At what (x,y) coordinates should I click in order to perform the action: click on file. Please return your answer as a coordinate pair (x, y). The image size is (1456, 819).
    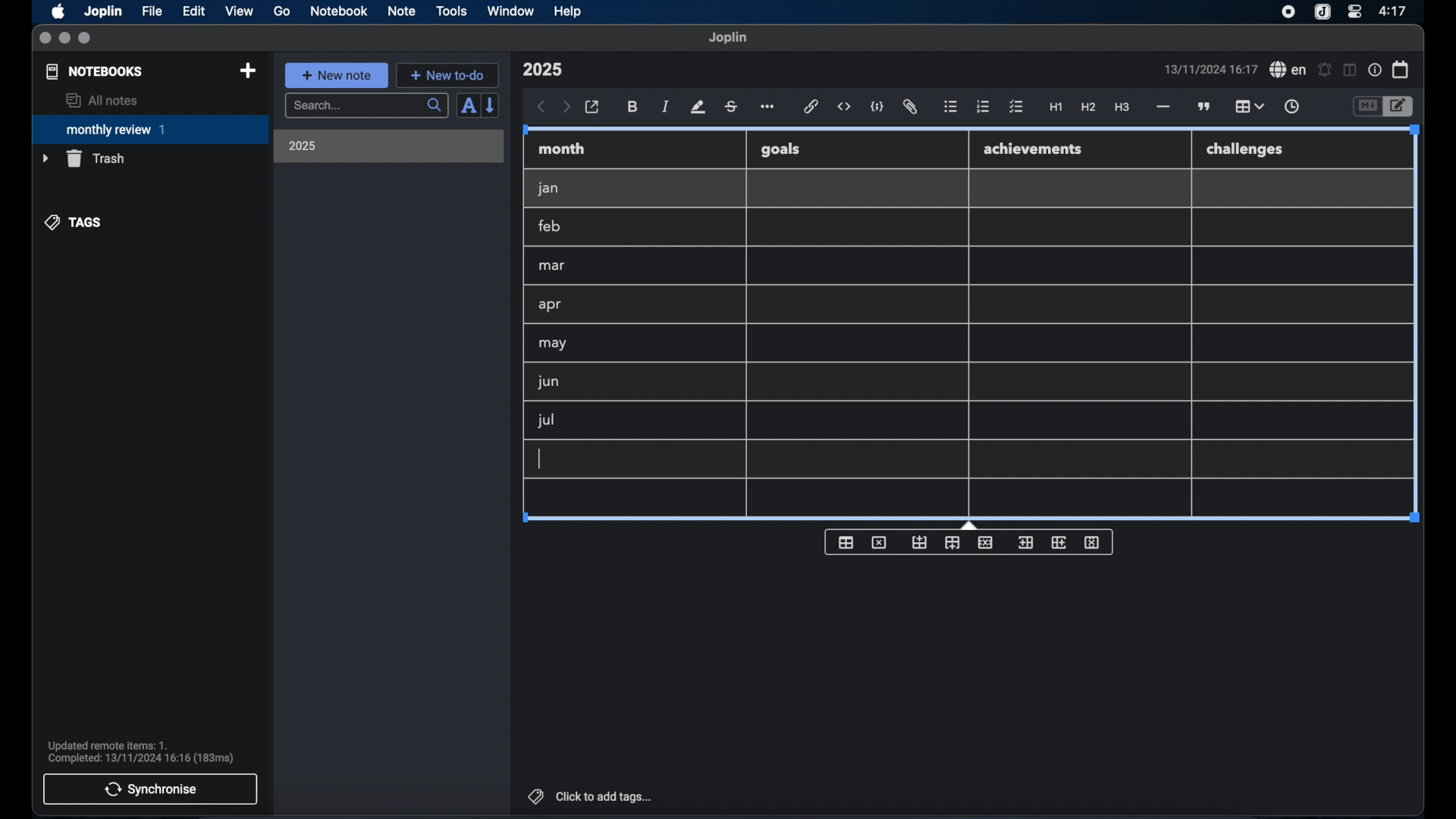
    Looking at the image, I should click on (152, 11).